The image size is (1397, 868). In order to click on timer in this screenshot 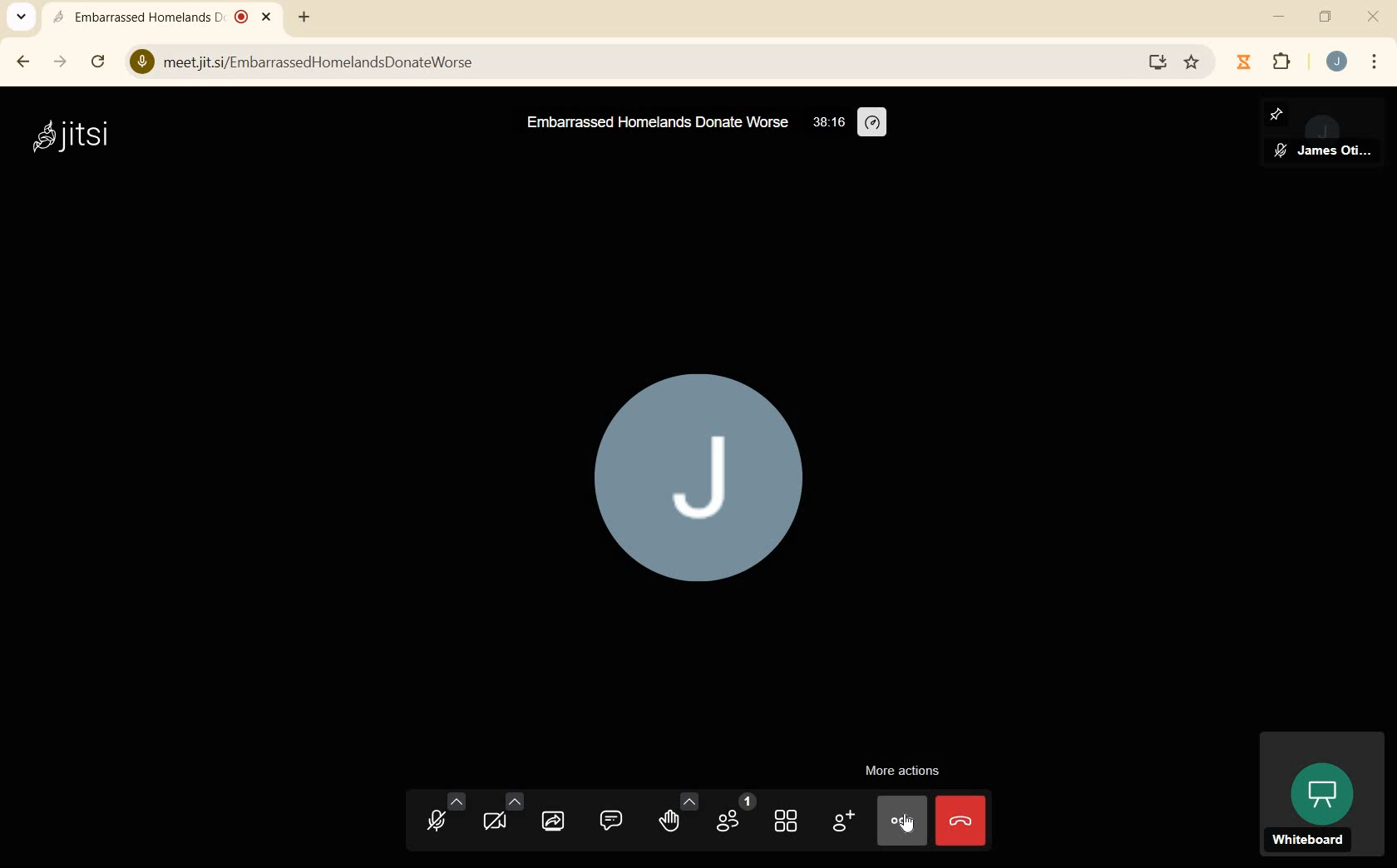, I will do `click(827, 121)`.